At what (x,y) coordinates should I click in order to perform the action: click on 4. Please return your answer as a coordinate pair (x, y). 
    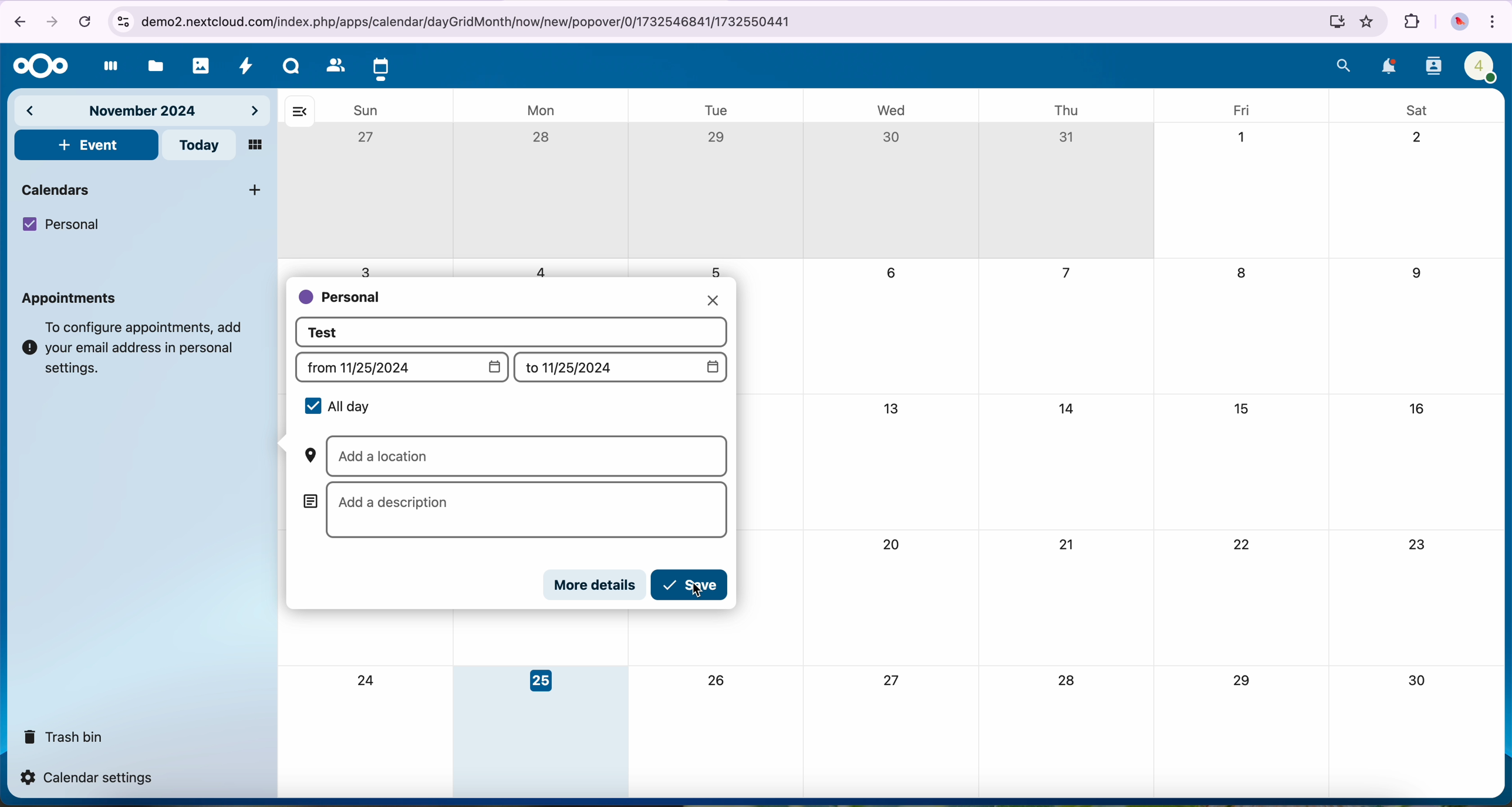
    Looking at the image, I should click on (538, 271).